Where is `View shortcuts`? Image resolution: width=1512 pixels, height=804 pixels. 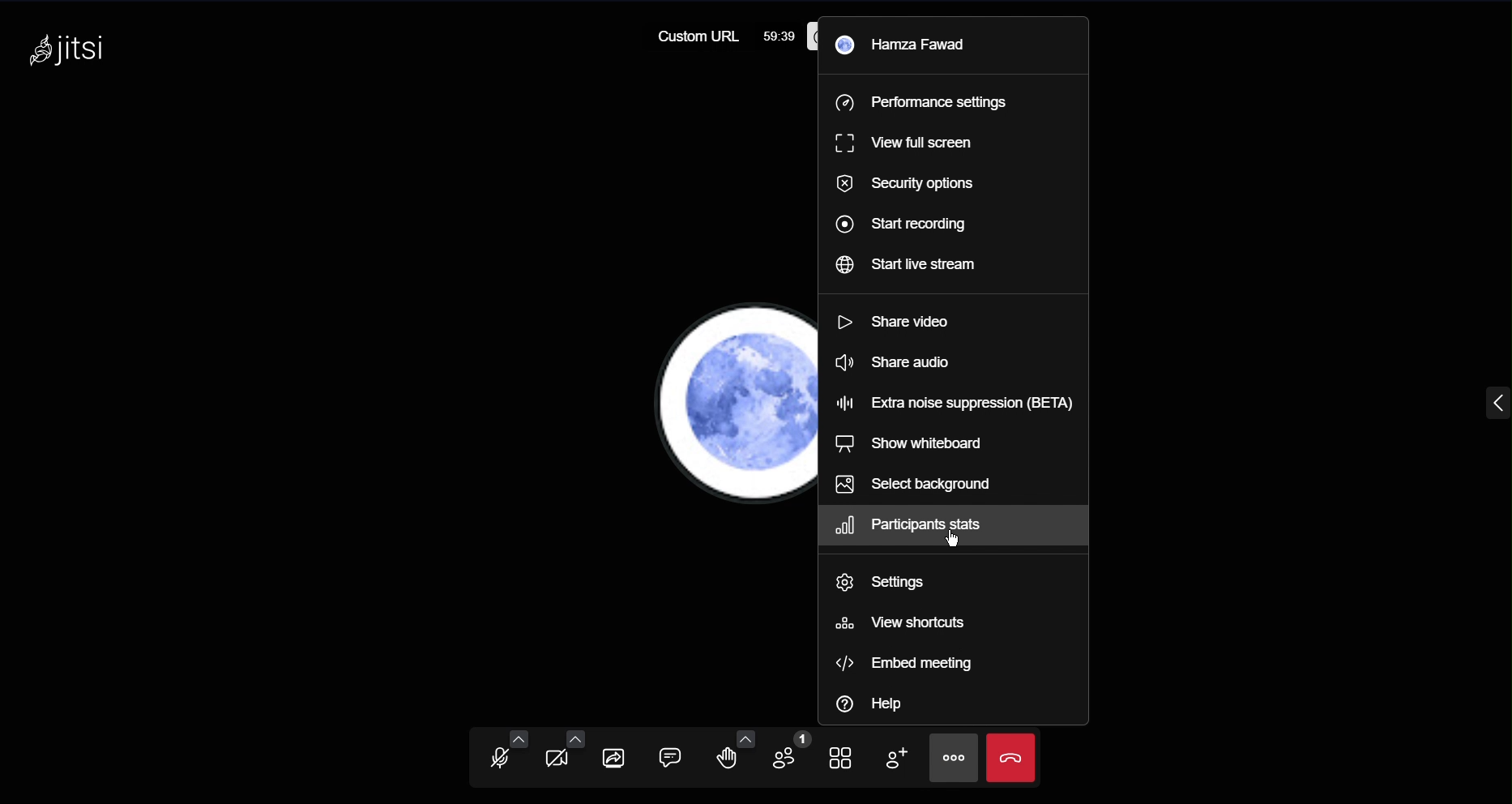
View shortcuts is located at coordinates (903, 627).